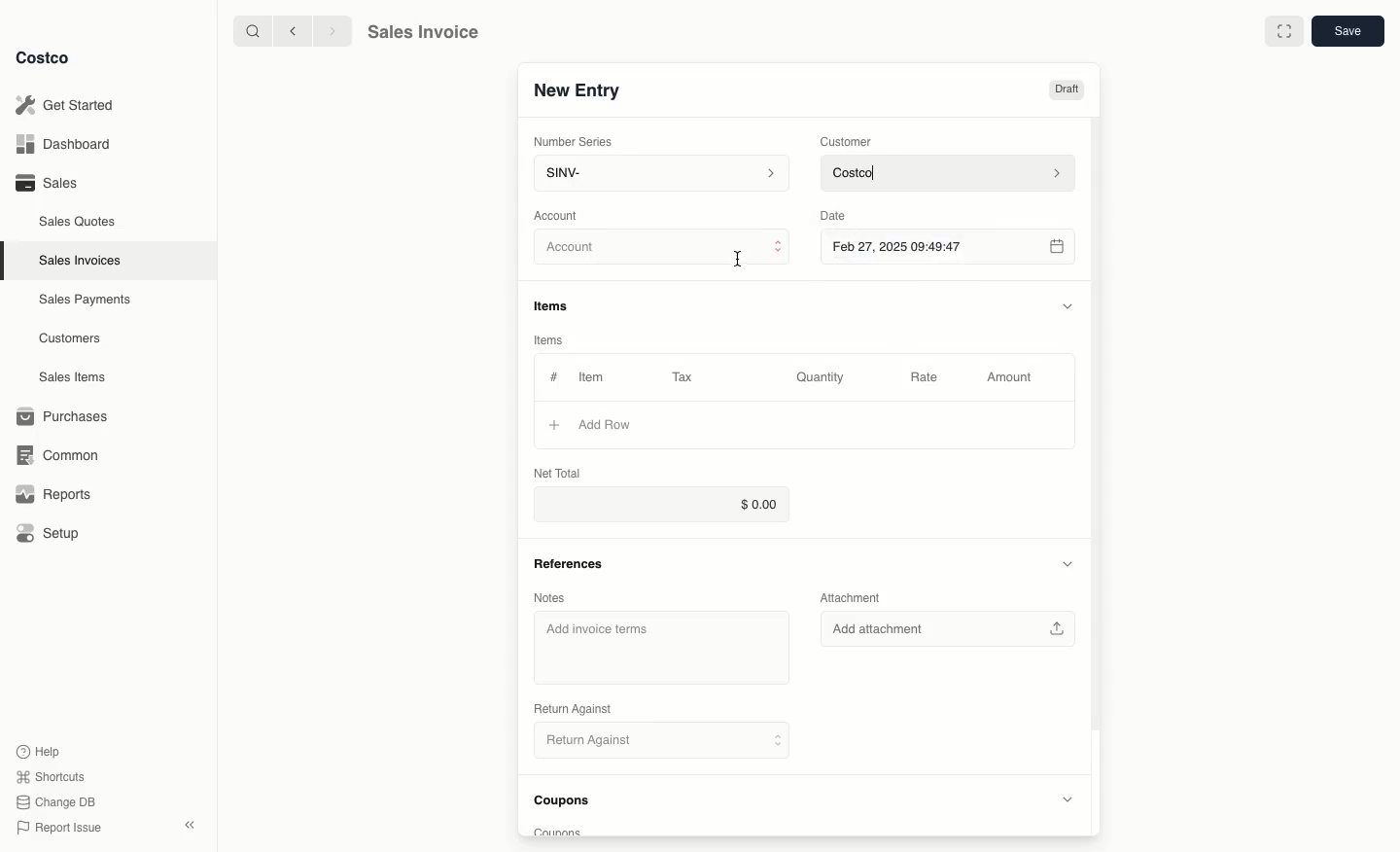  Describe the element at coordinates (849, 213) in the screenshot. I see `Date` at that location.